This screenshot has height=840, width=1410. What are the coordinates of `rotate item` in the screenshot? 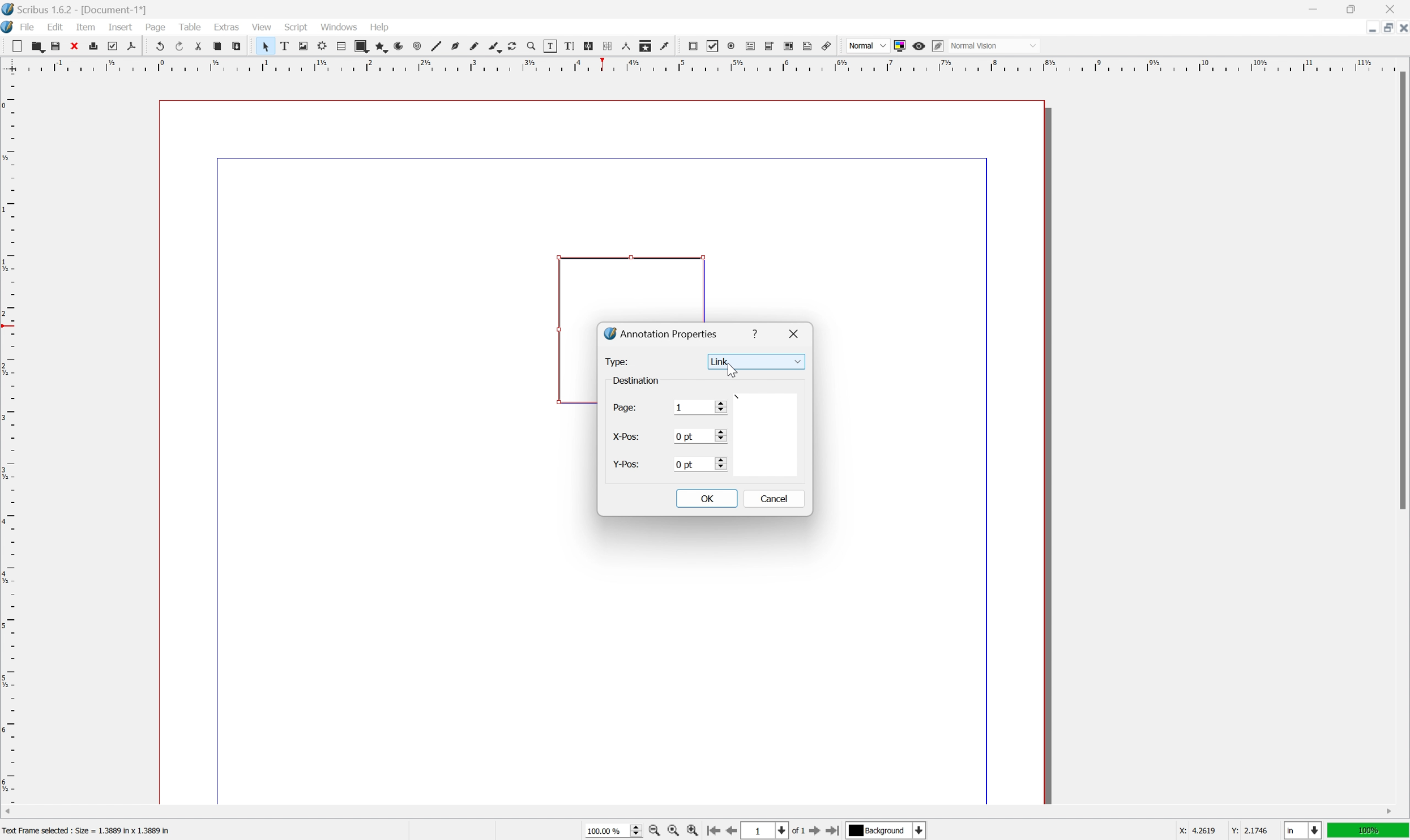 It's located at (513, 46).